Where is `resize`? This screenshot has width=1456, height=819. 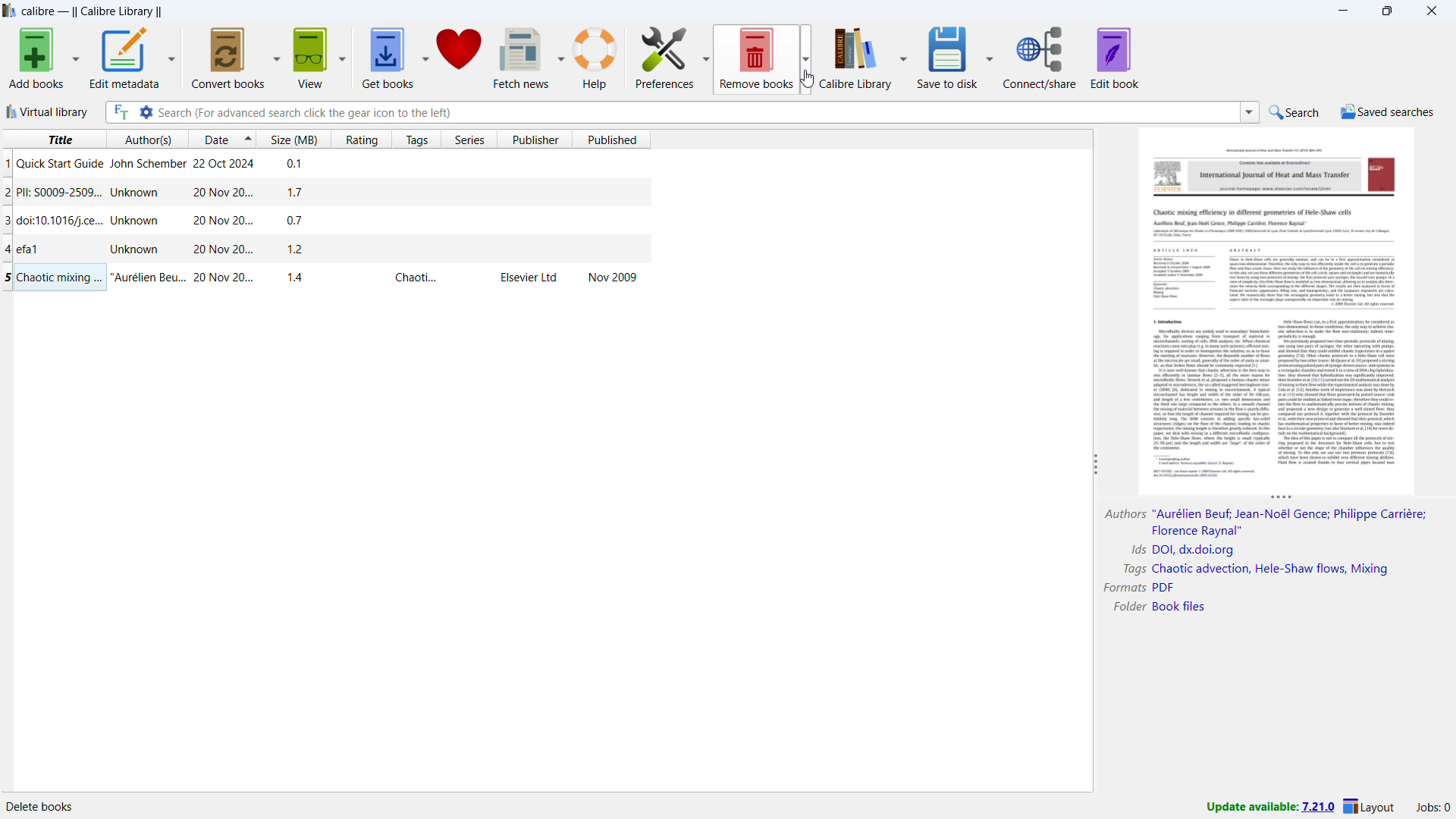 resize is located at coordinates (1282, 498).